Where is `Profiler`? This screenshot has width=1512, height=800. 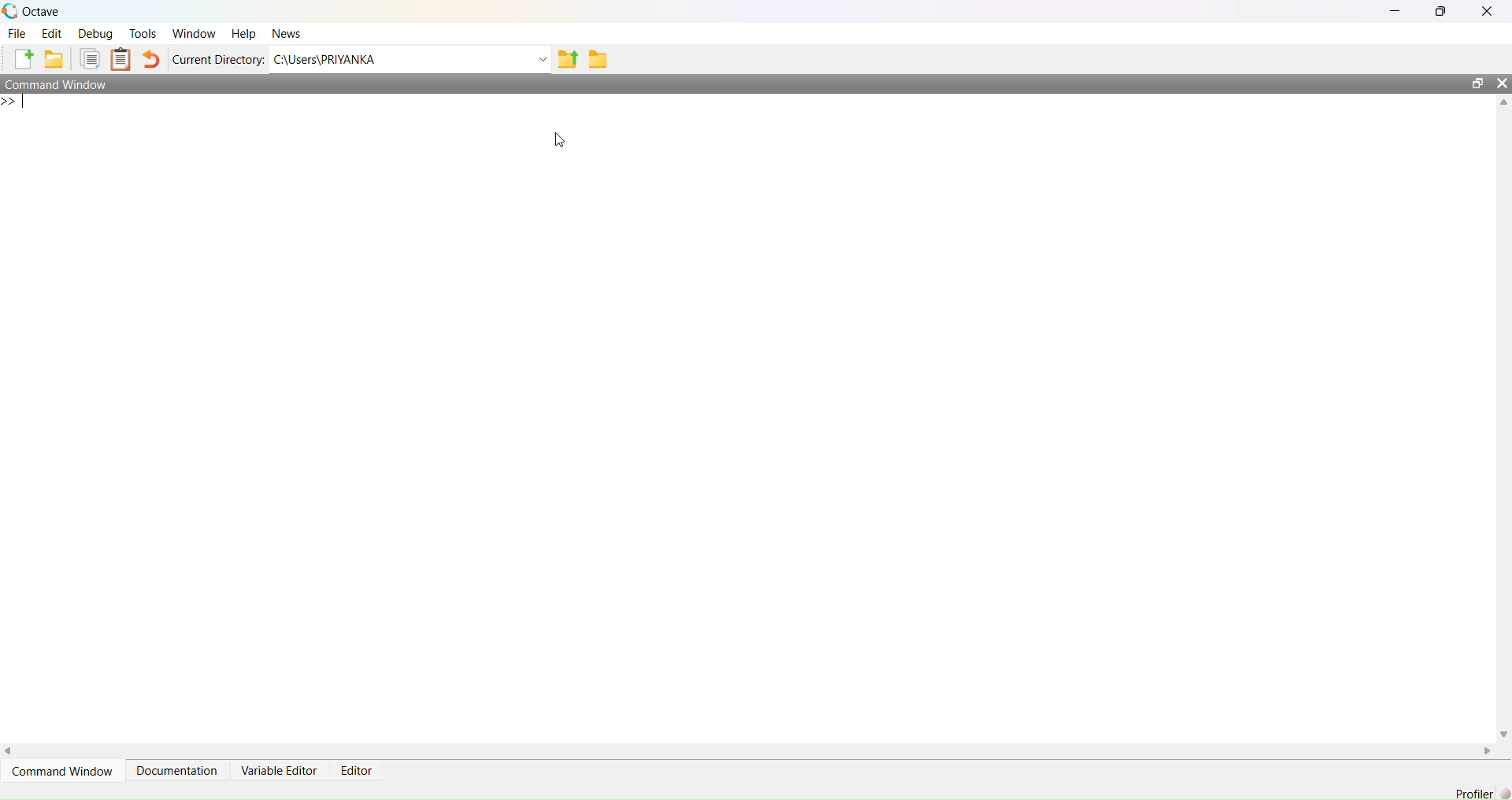
Profiler is located at coordinates (1473, 793).